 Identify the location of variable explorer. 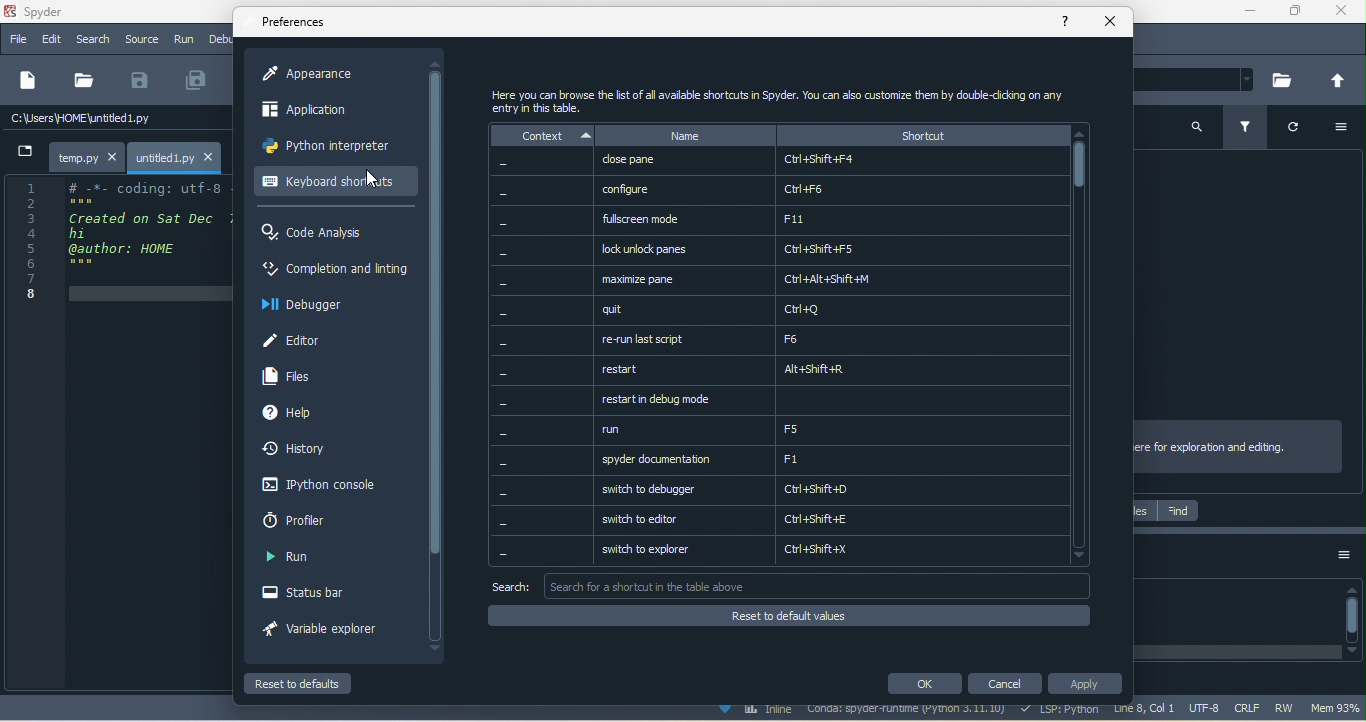
(322, 631).